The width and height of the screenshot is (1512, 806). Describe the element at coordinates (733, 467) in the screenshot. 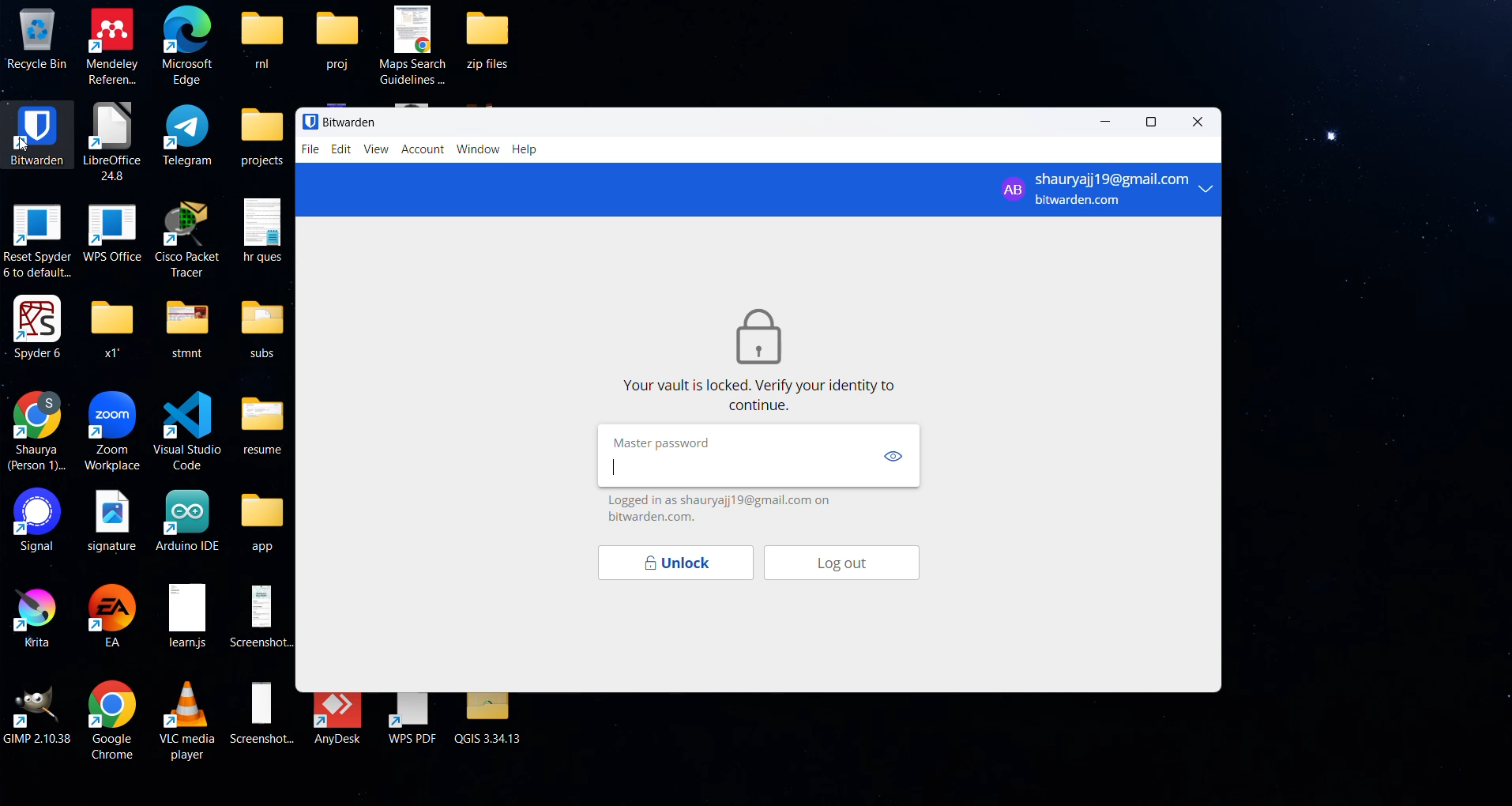

I see `password typing box` at that location.